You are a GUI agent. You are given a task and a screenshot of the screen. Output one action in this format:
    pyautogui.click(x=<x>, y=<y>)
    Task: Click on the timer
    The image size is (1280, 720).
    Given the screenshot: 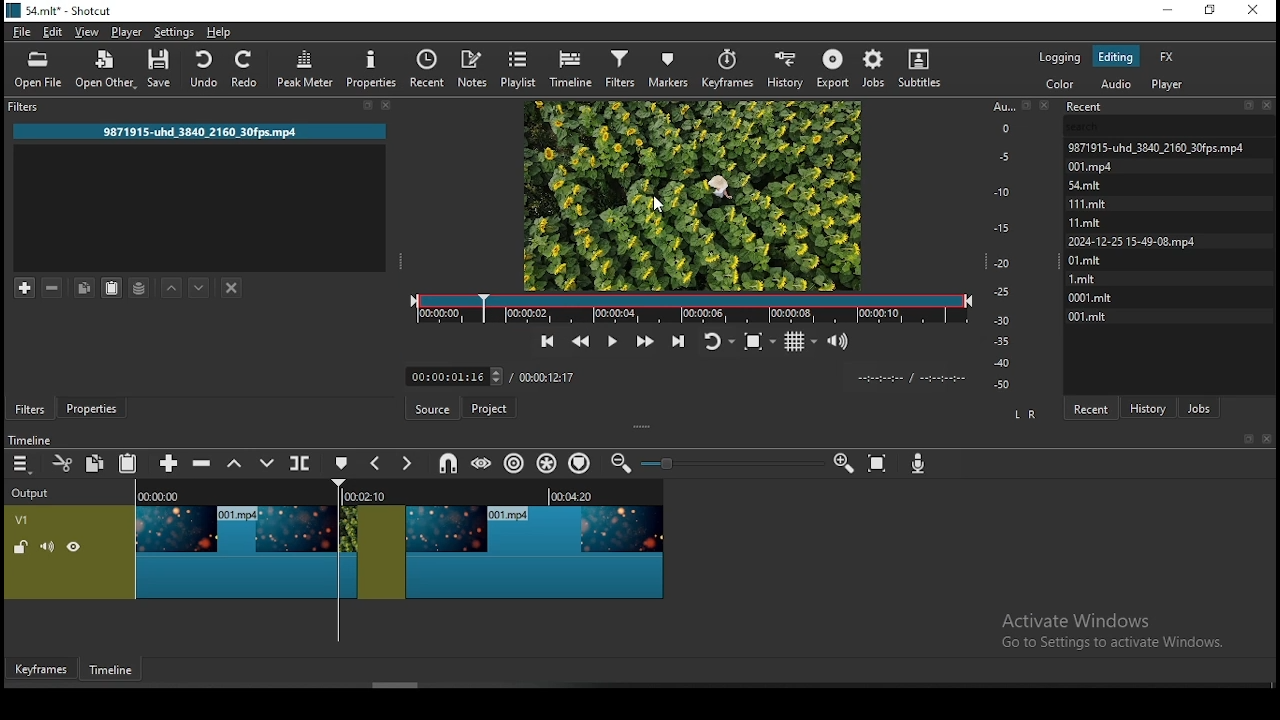 What is the action you would take?
    pyautogui.click(x=455, y=377)
    